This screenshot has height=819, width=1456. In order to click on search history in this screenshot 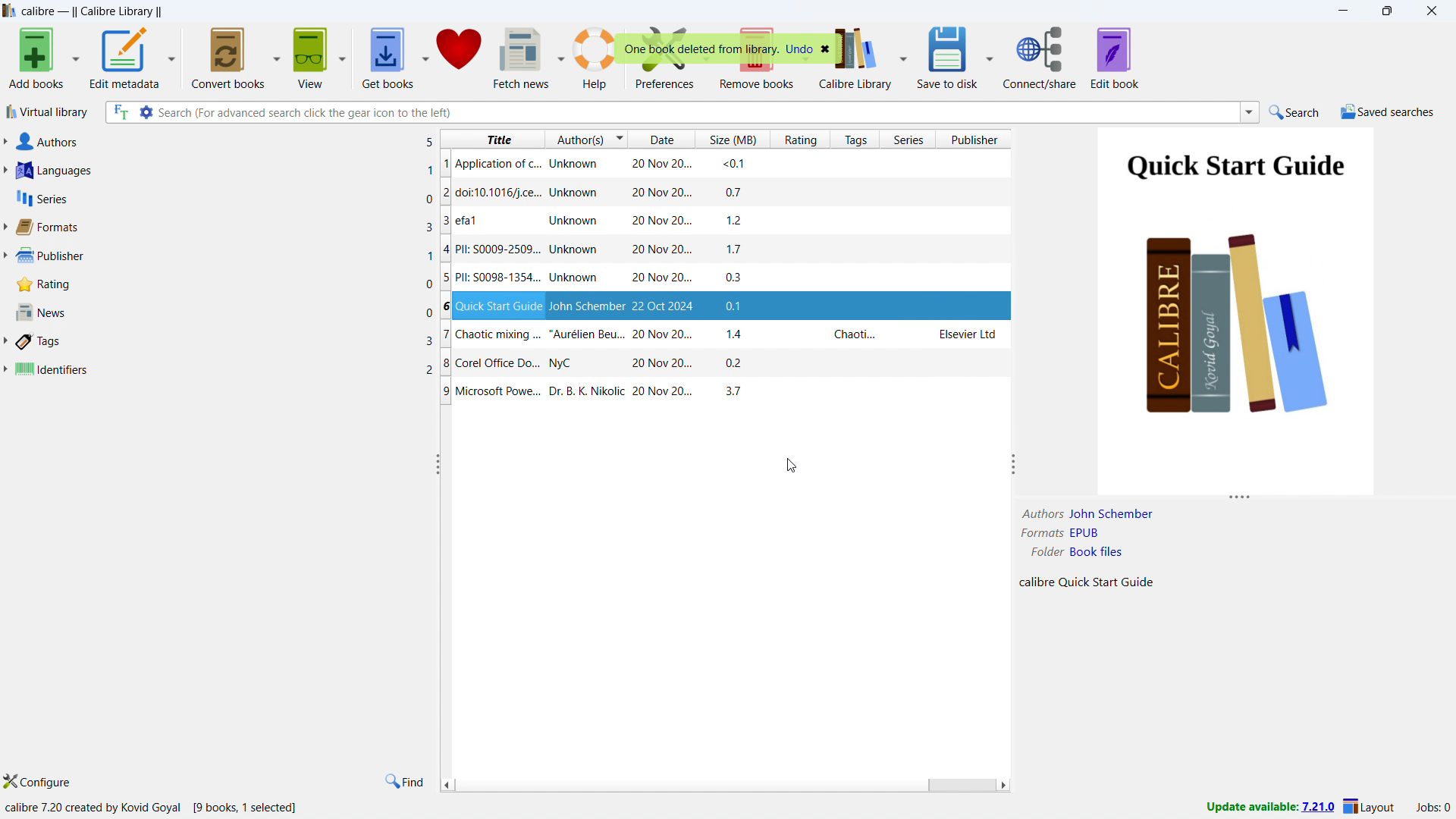, I will do `click(1250, 111)`.